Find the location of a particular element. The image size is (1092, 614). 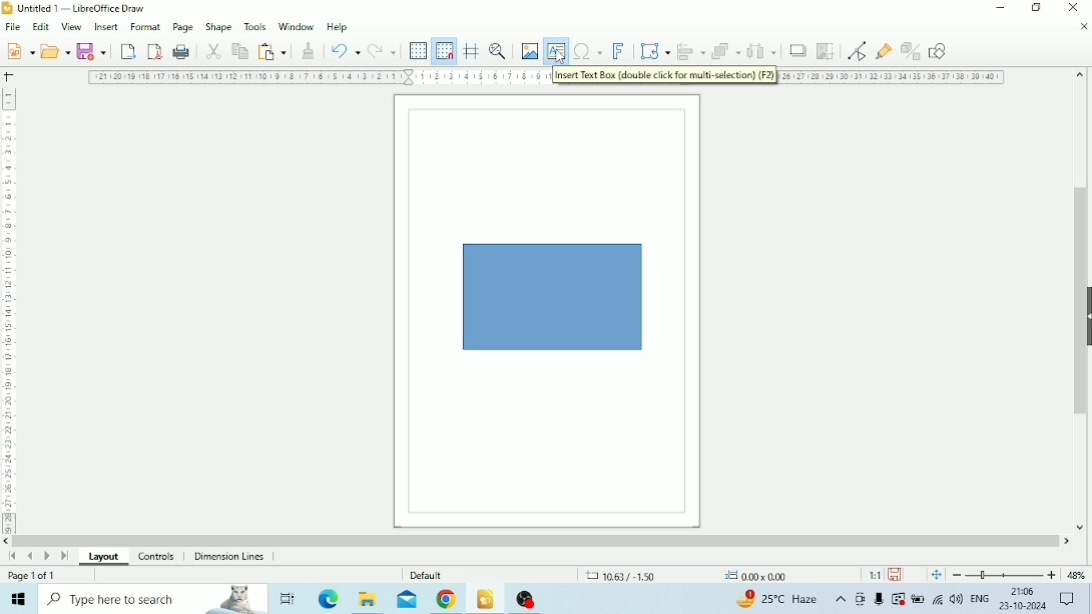

File name is located at coordinates (85, 8).